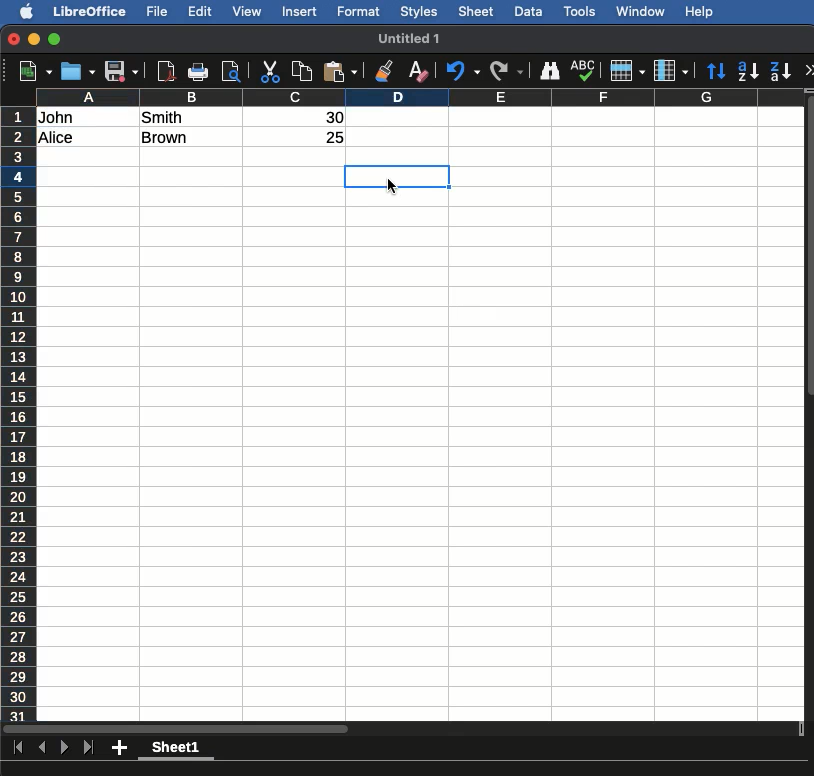  What do you see at coordinates (181, 750) in the screenshot?
I see `Sheet` at bounding box center [181, 750].